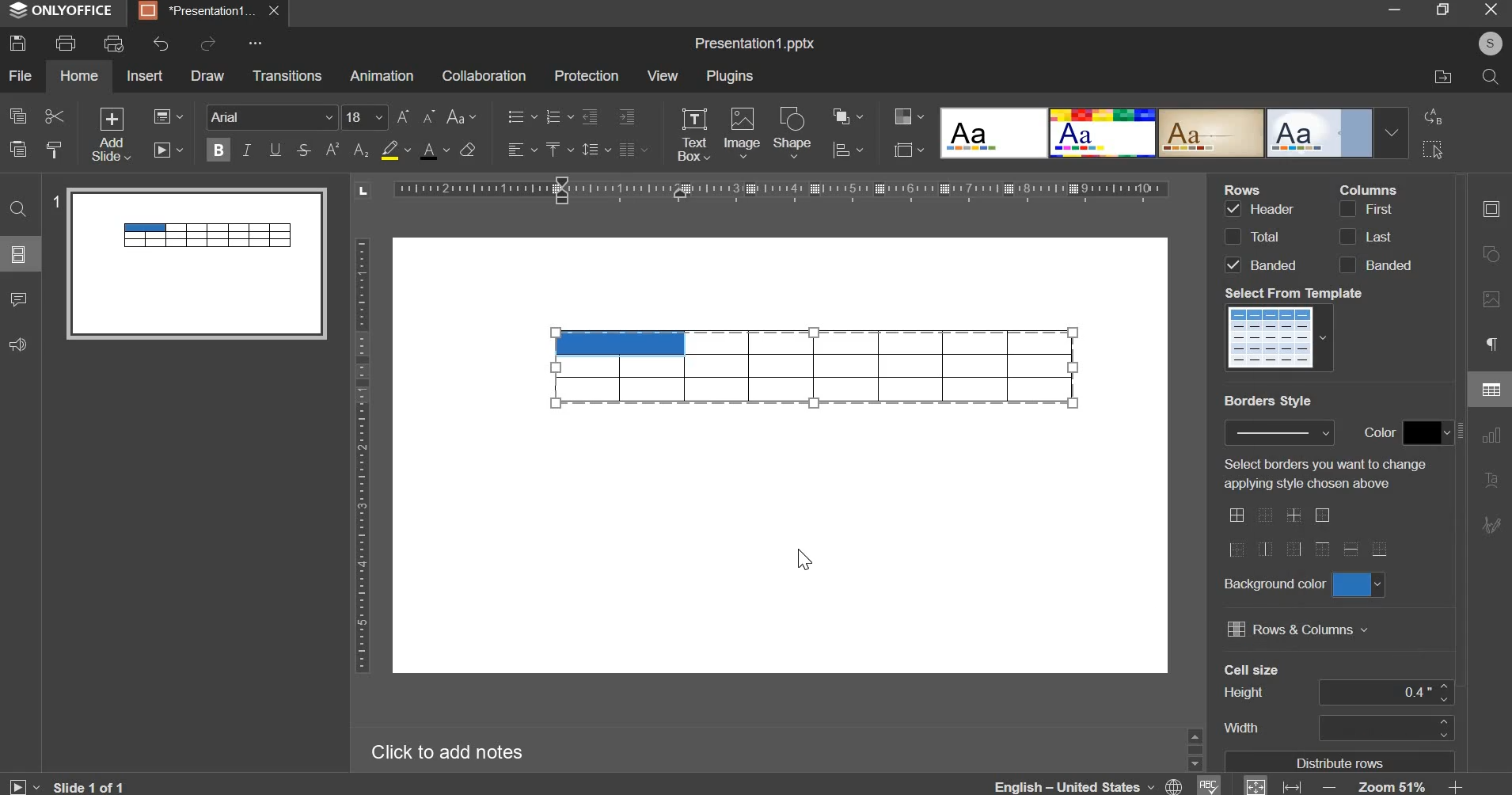  What do you see at coordinates (1394, 11) in the screenshot?
I see `minimize` at bounding box center [1394, 11].